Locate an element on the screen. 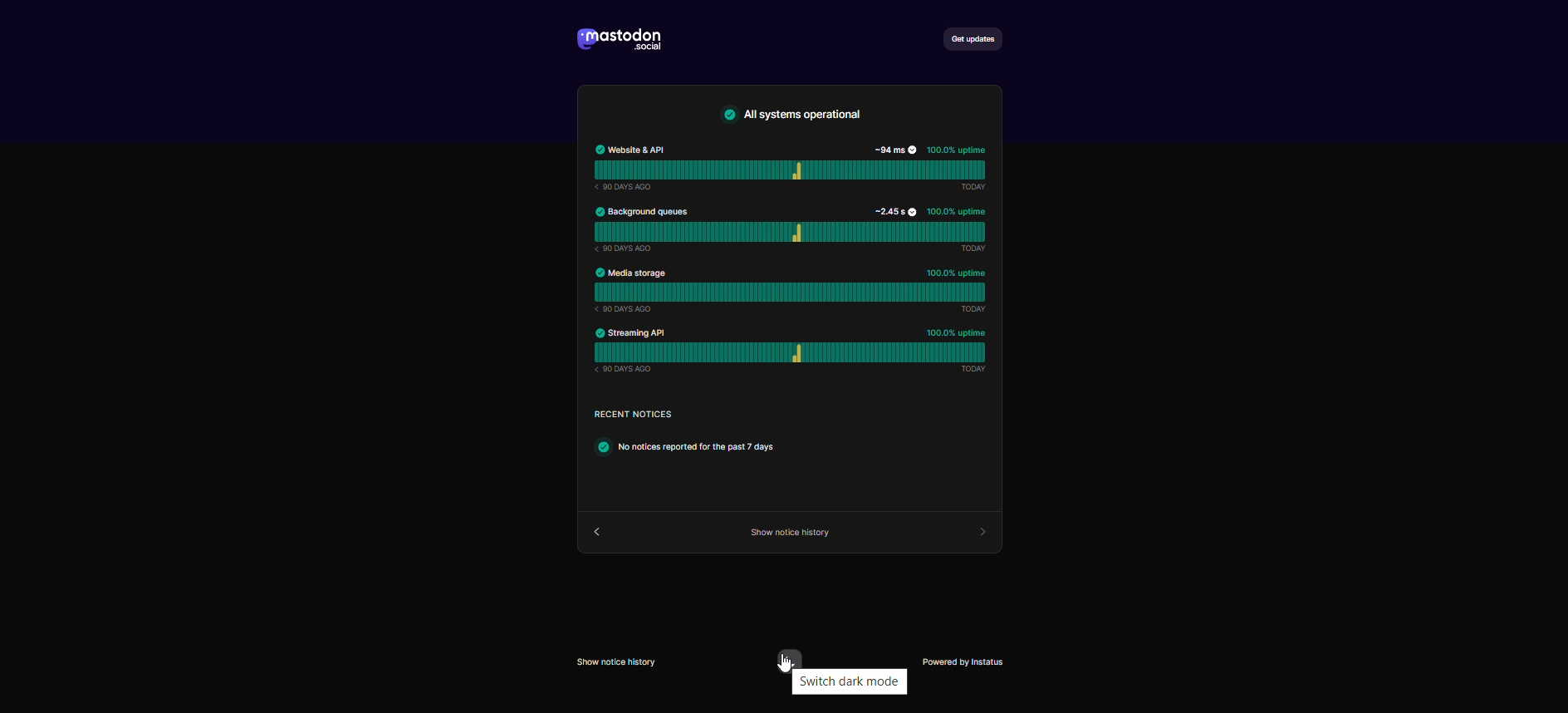  forward is located at coordinates (973, 534).